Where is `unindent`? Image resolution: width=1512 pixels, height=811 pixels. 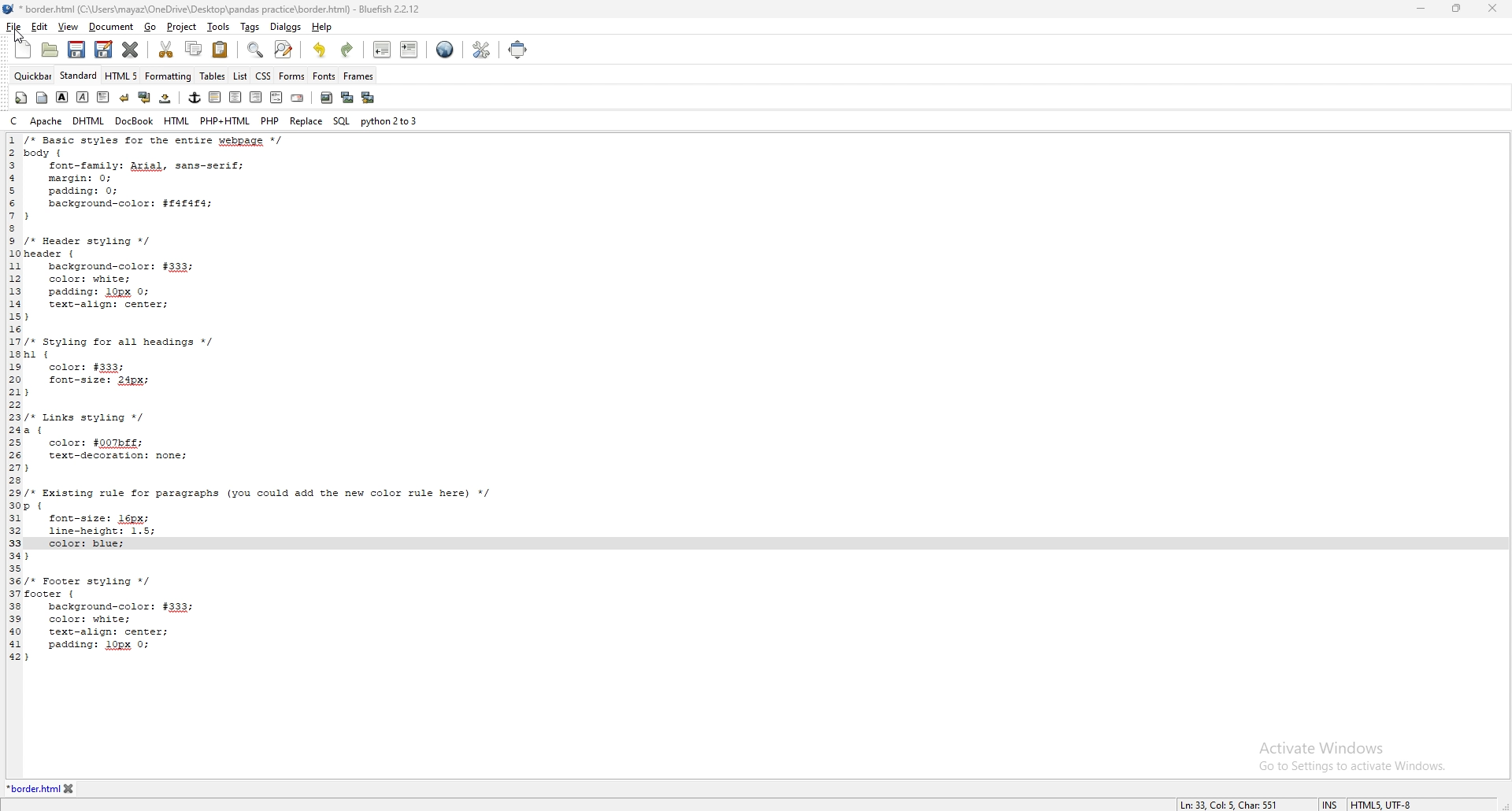
unindent is located at coordinates (382, 49).